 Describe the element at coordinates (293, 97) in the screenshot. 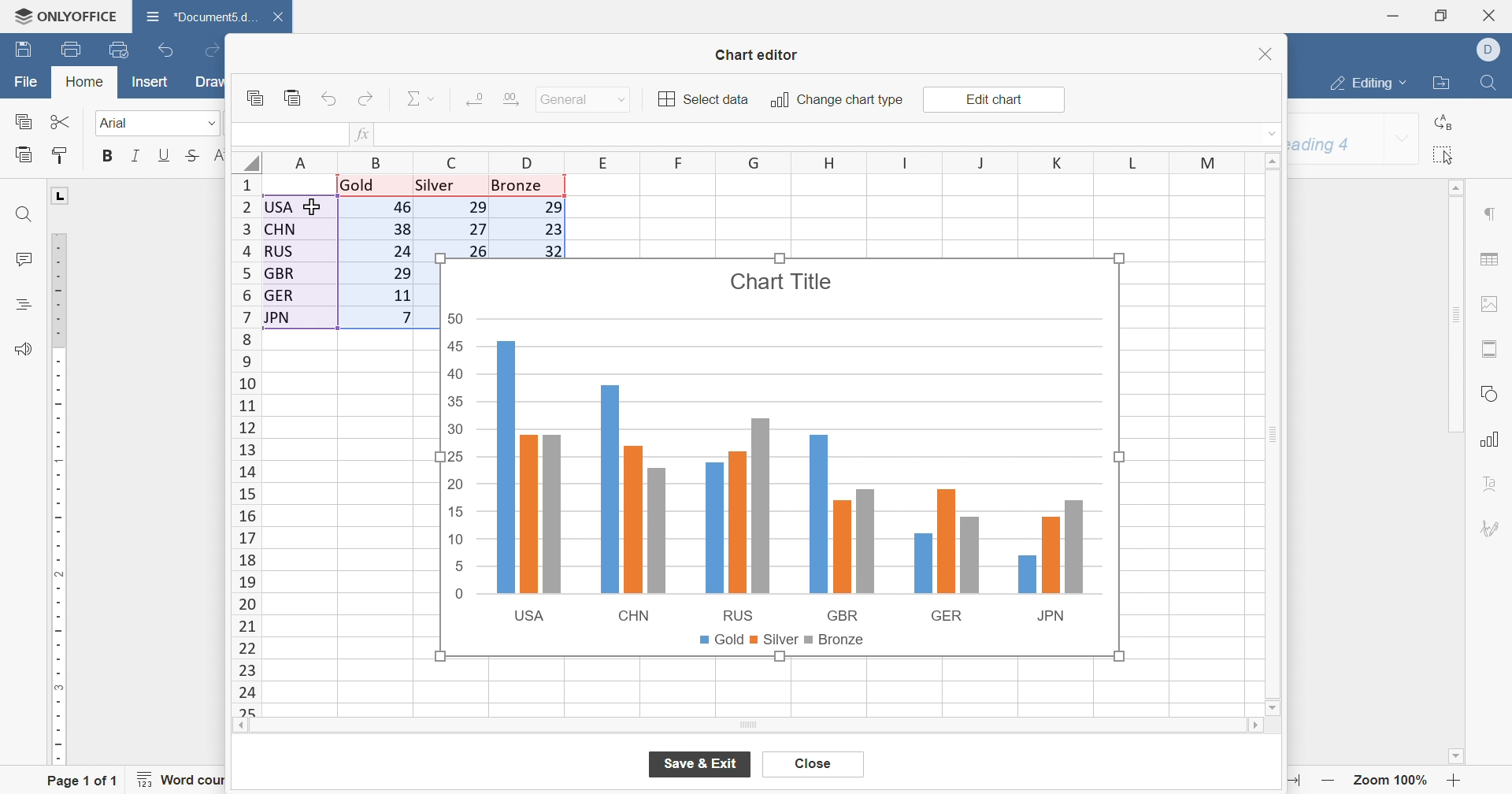

I see `paste` at that location.